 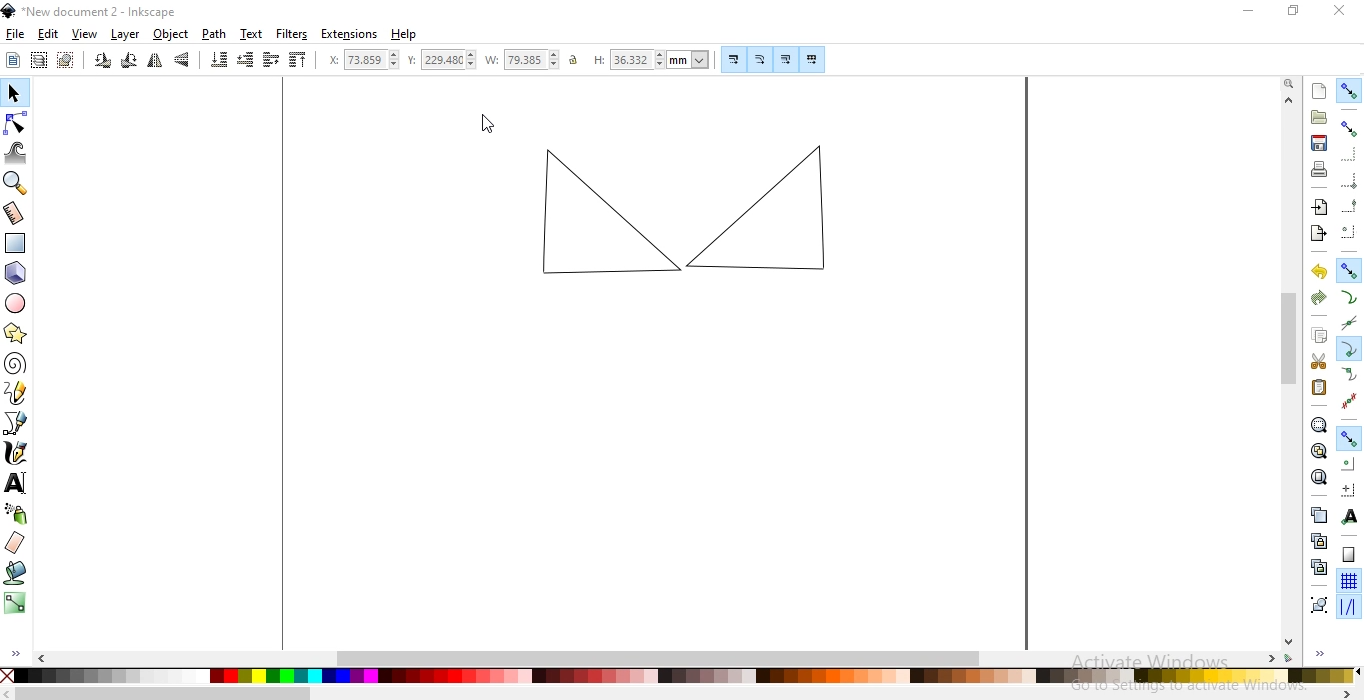 What do you see at coordinates (183, 61) in the screenshot?
I see `flip vertically` at bounding box center [183, 61].